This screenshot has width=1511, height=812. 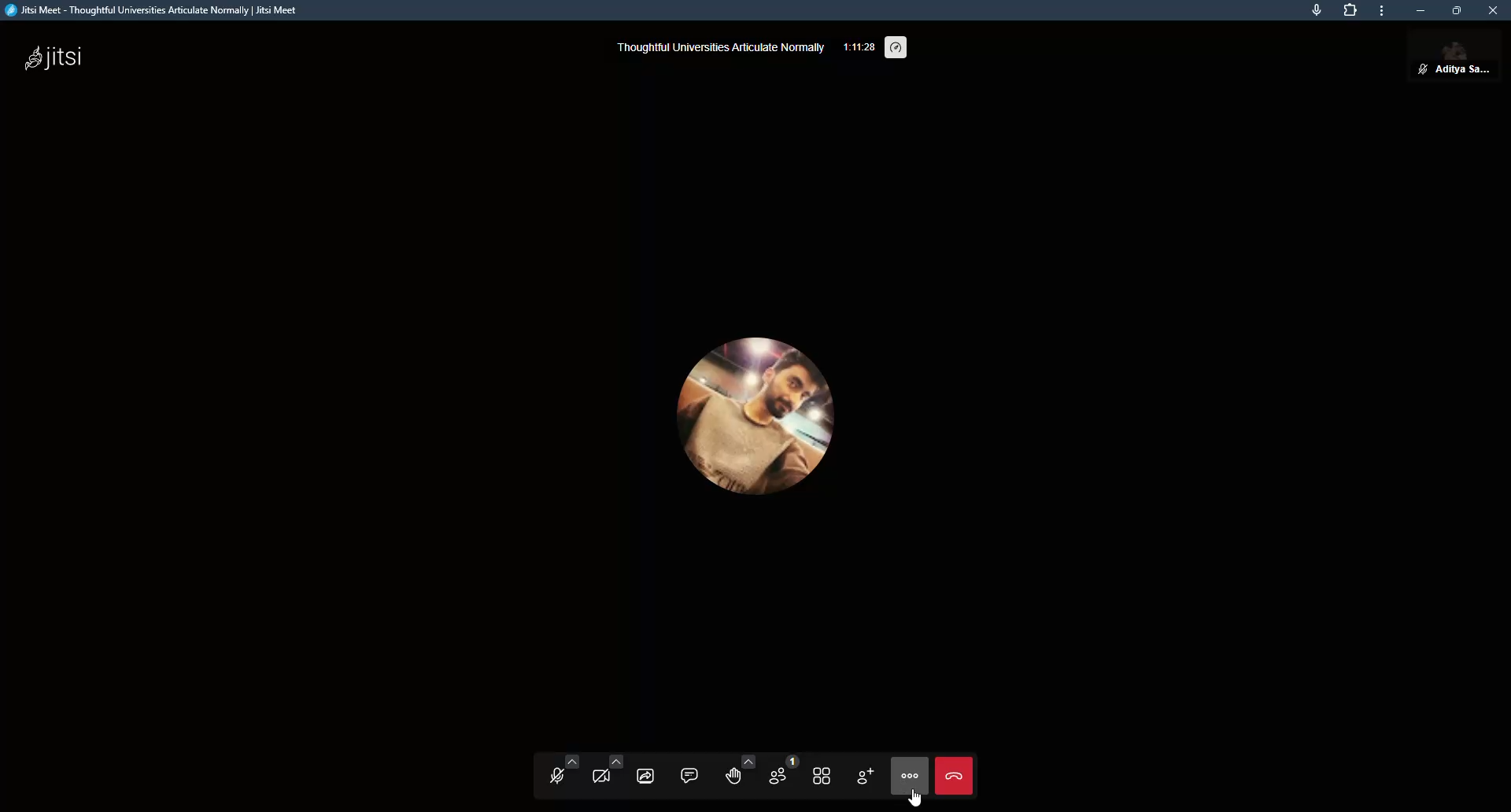 What do you see at coordinates (752, 408) in the screenshot?
I see `profile picture` at bounding box center [752, 408].